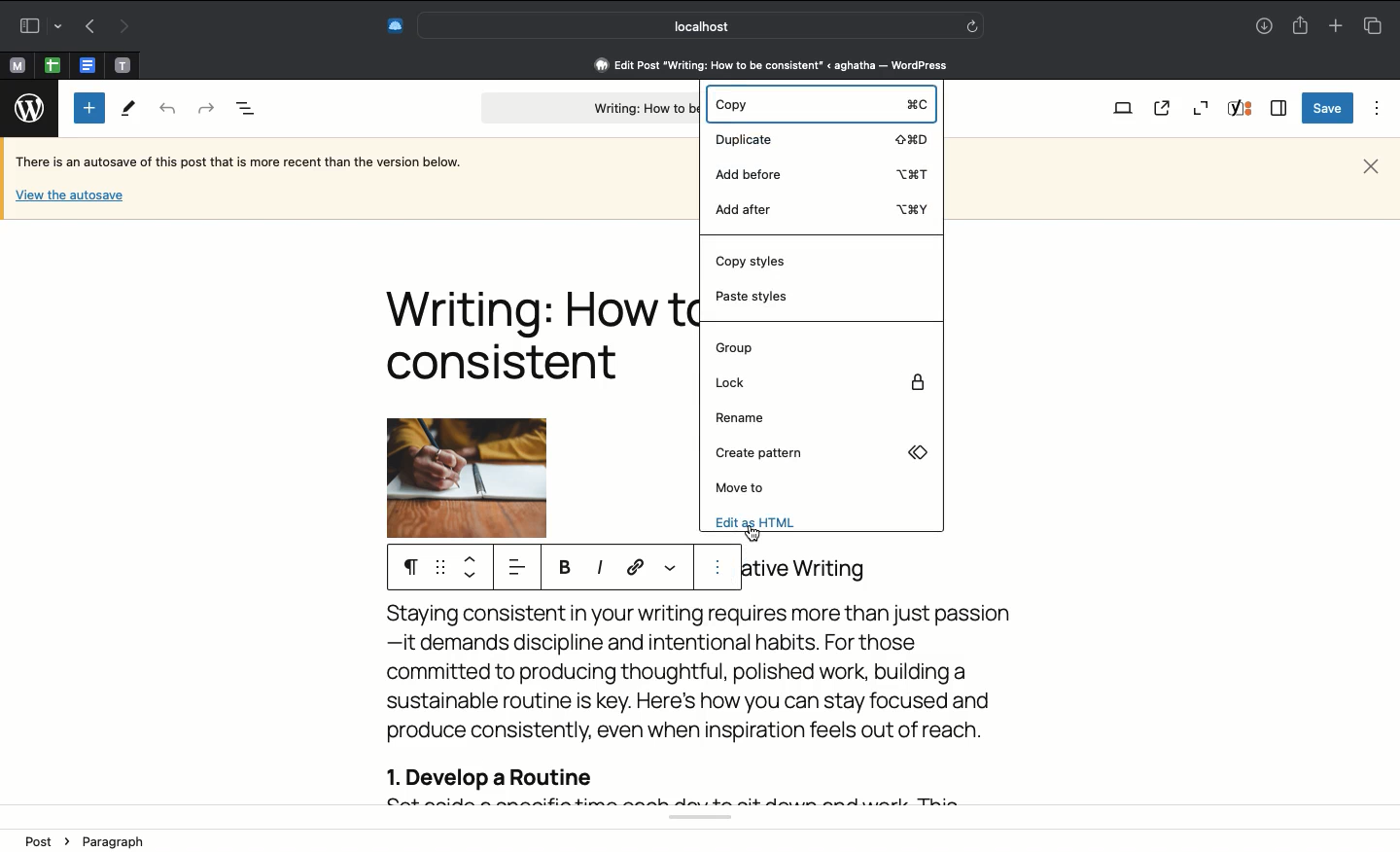 The image size is (1400, 852). I want to click on Extensions, so click(394, 23).